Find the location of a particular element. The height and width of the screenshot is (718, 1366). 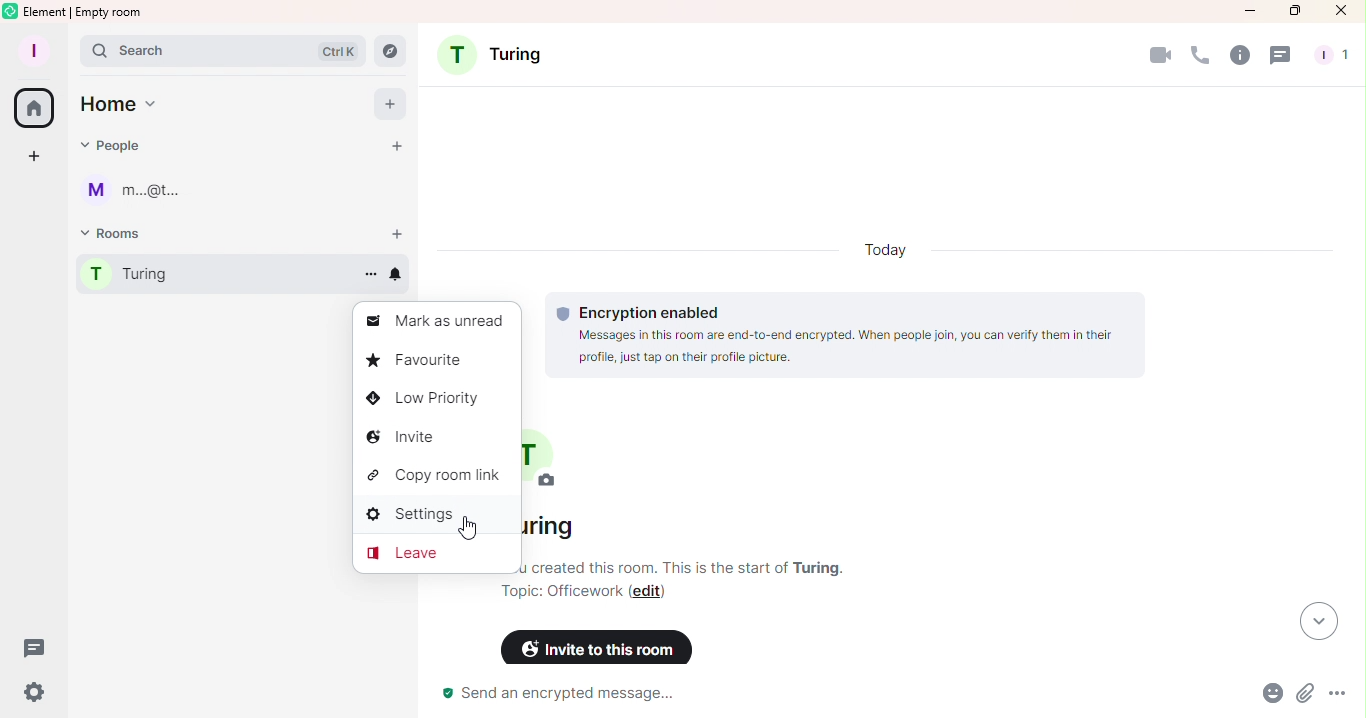

Cursor is located at coordinates (476, 527).